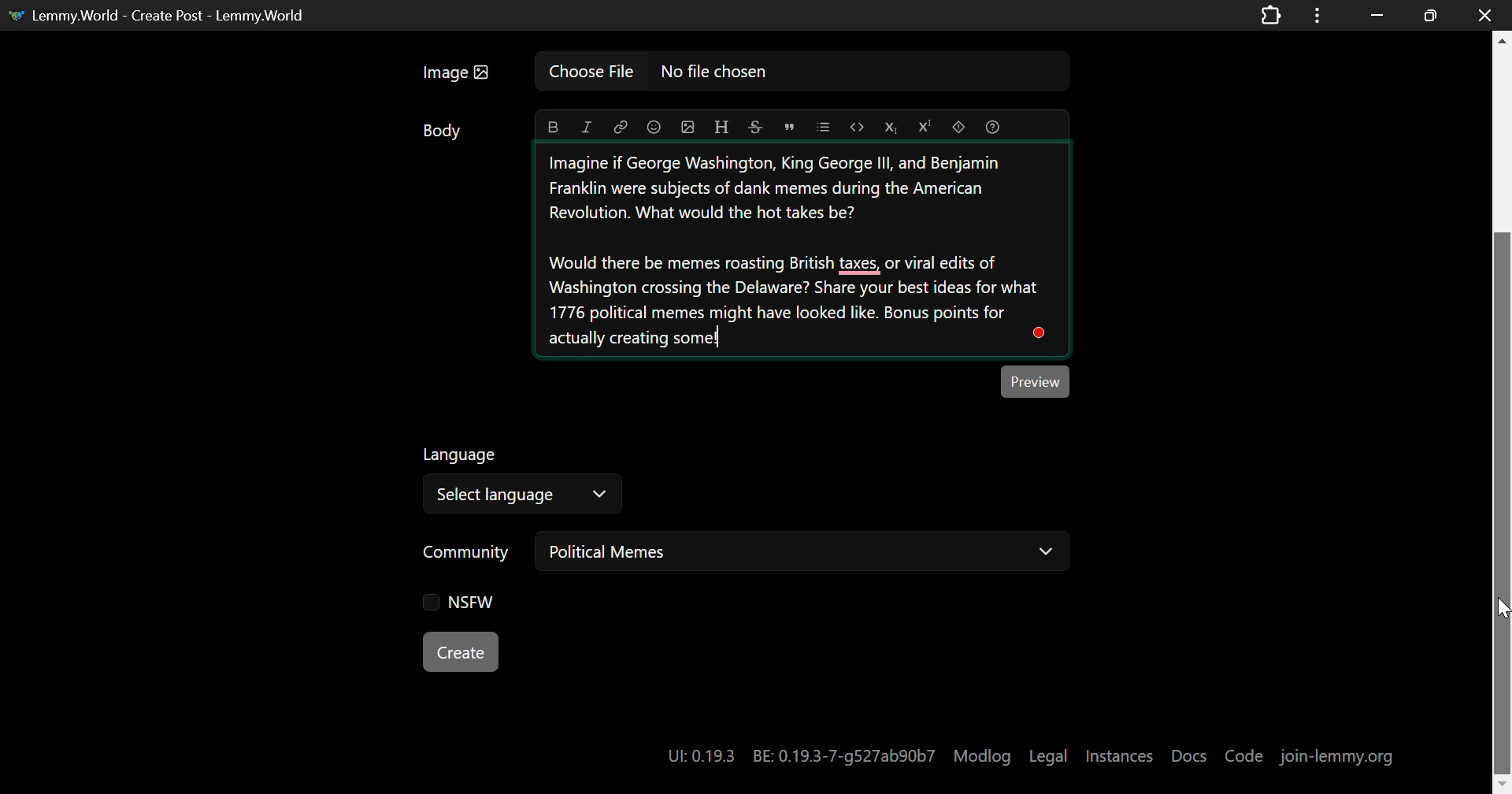 Image resolution: width=1512 pixels, height=794 pixels. What do you see at coordinates (981, 756) in the screenshot?
I see `Modlog` at bounding box center [981, 756].